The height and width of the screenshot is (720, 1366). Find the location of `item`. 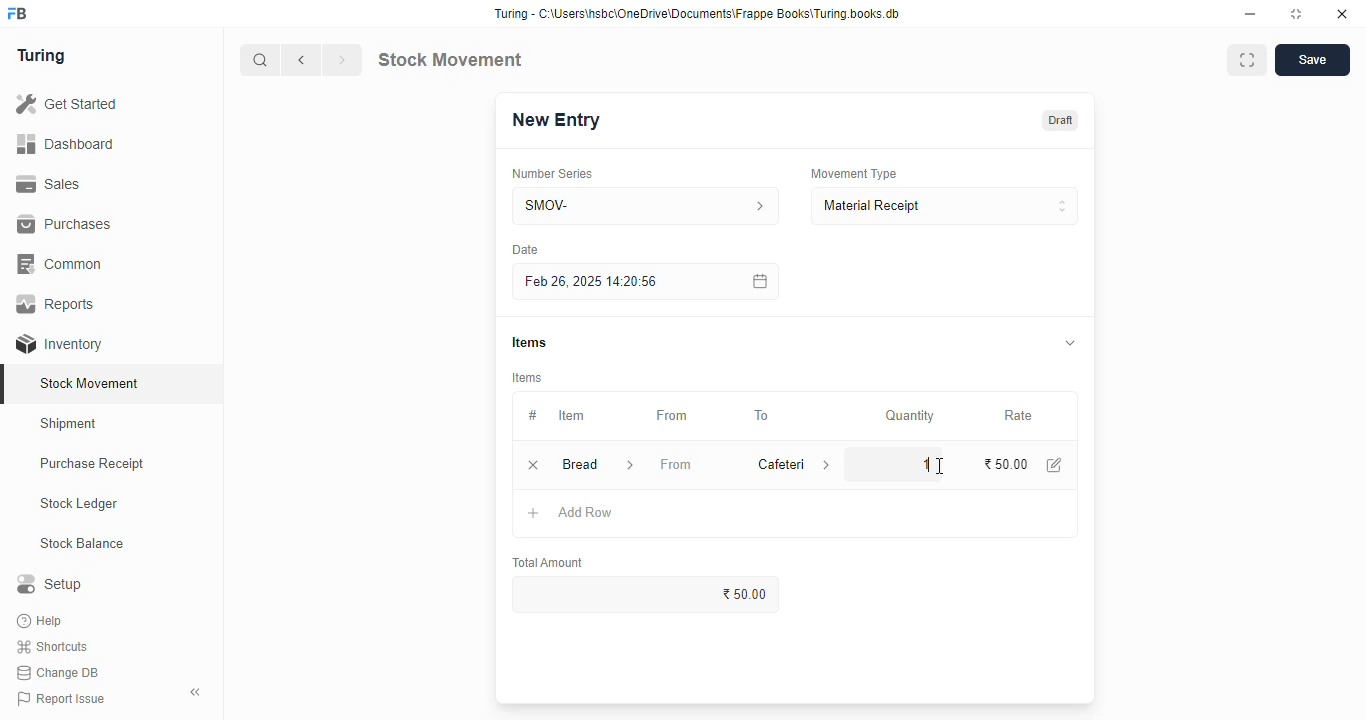

item is located at coordinates (571, 415).